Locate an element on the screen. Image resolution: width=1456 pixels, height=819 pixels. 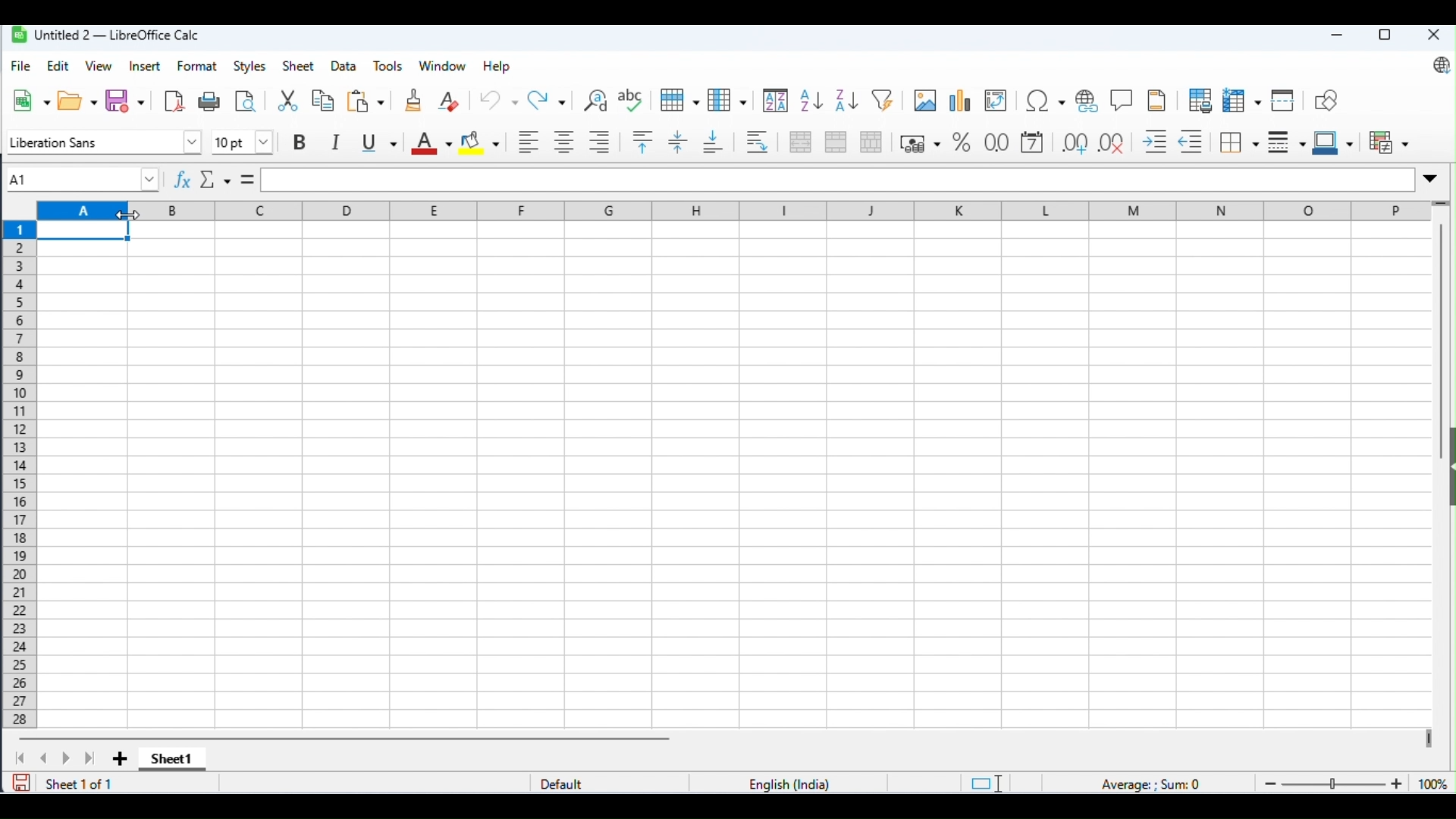
bold is located at coordinates (300, 142).